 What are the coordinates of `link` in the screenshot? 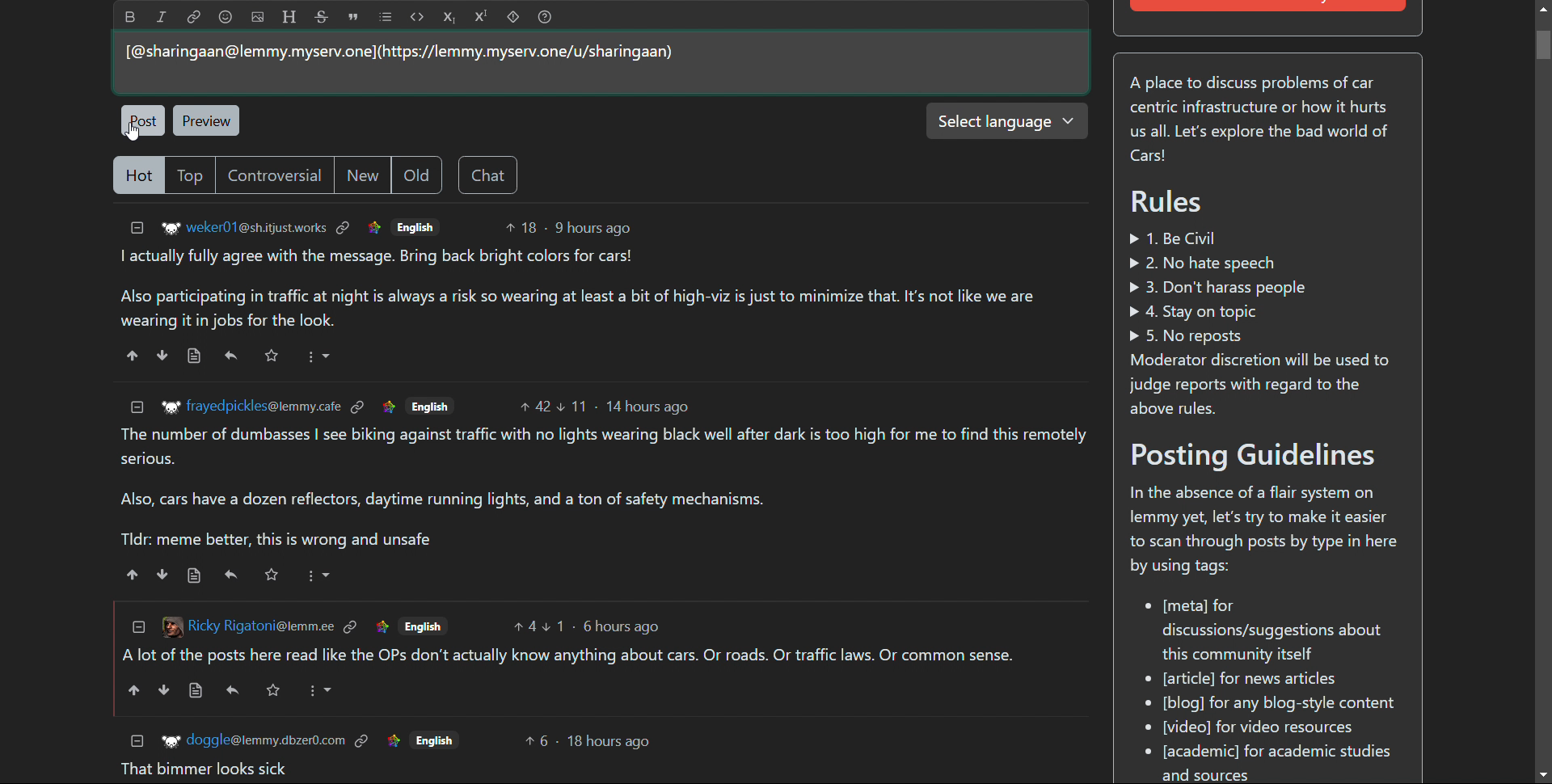 It's located at (350, 626).